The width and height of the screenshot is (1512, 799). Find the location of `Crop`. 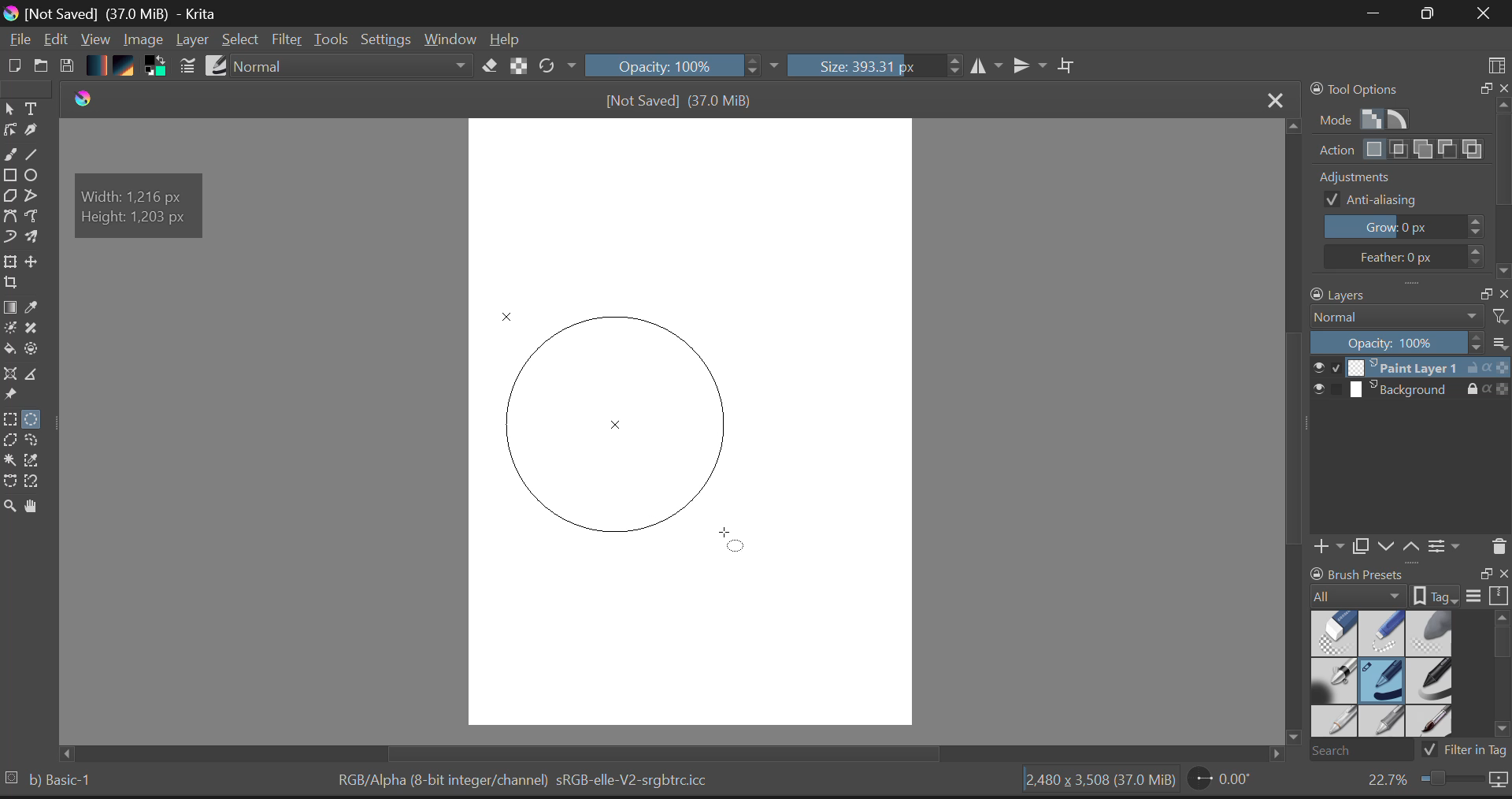

Crop is located at coordinates (9, 287).